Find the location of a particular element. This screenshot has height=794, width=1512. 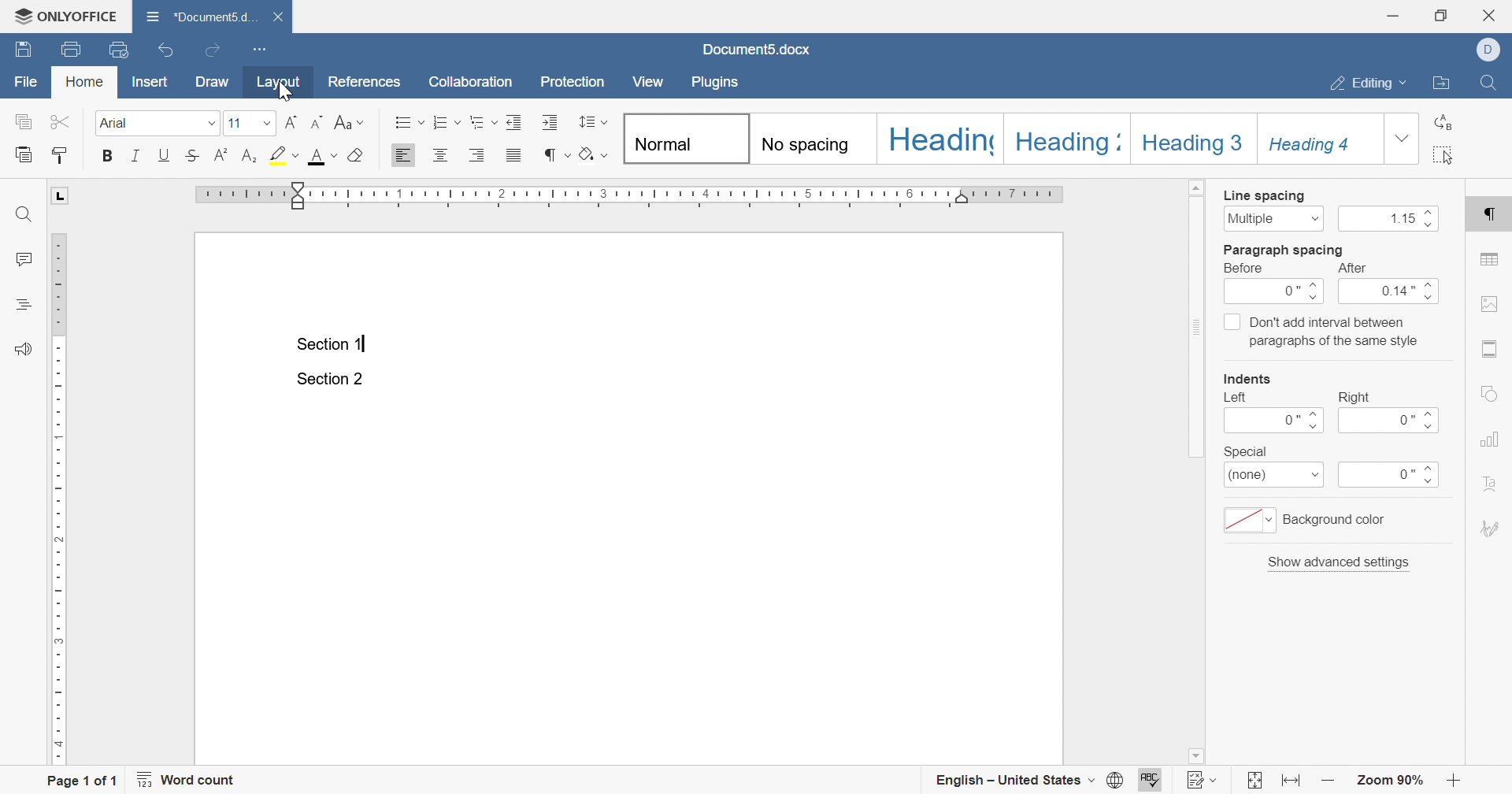

superscript is located at coordinates (221, 155).